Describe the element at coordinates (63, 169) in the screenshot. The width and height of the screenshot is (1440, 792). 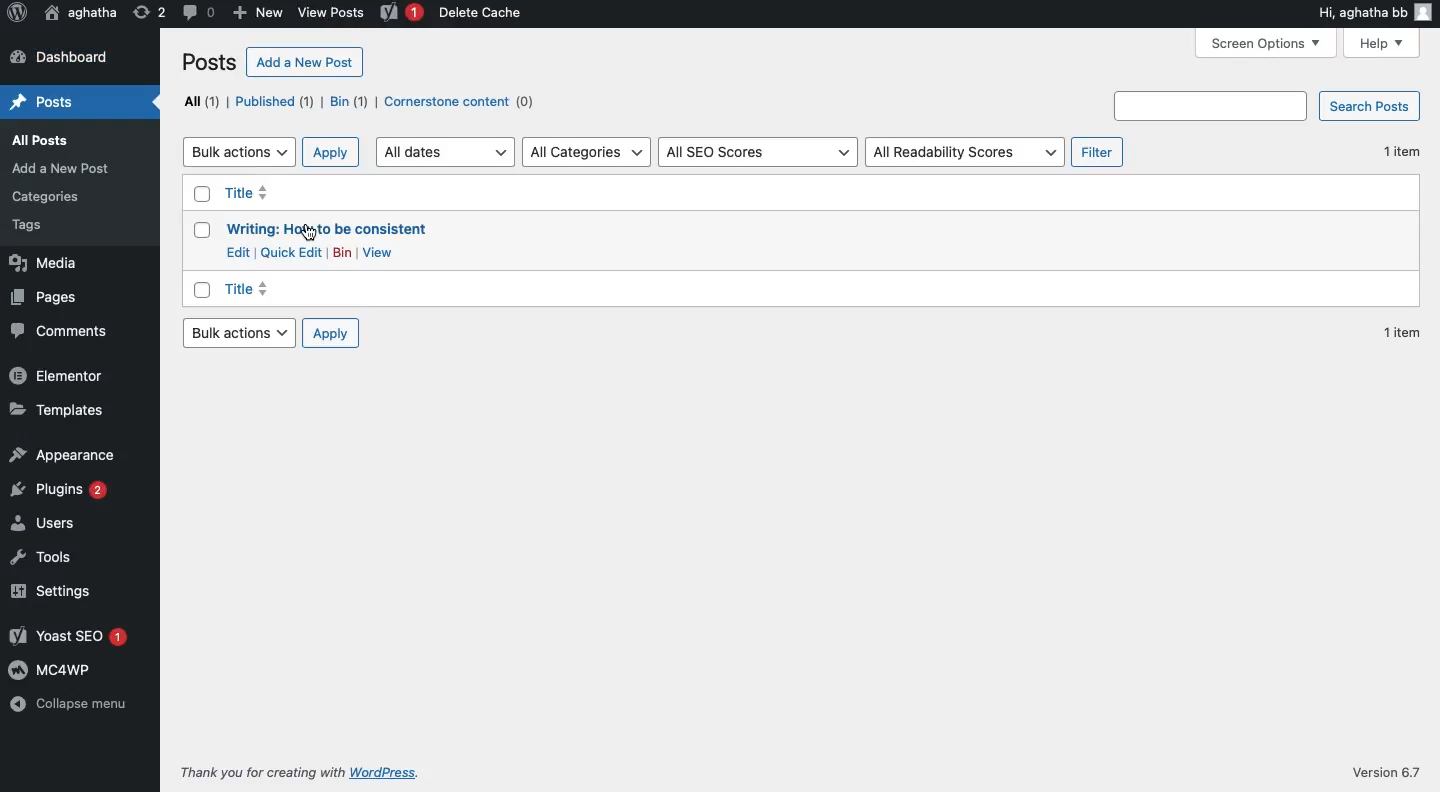
I see `Add a New Post` at that location.